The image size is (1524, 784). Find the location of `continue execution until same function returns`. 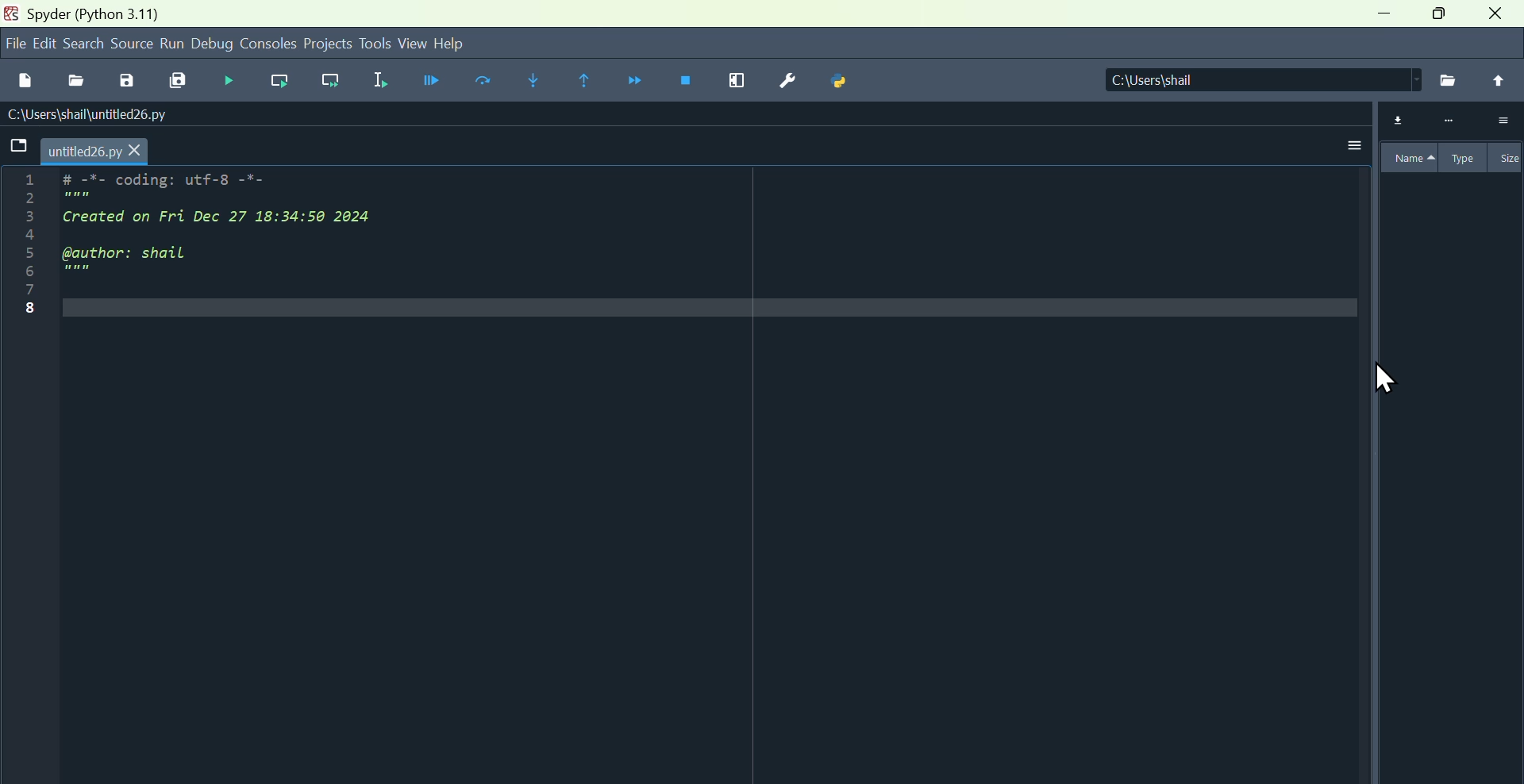

continue execution until same function returns is located at coordinates (587, 79).